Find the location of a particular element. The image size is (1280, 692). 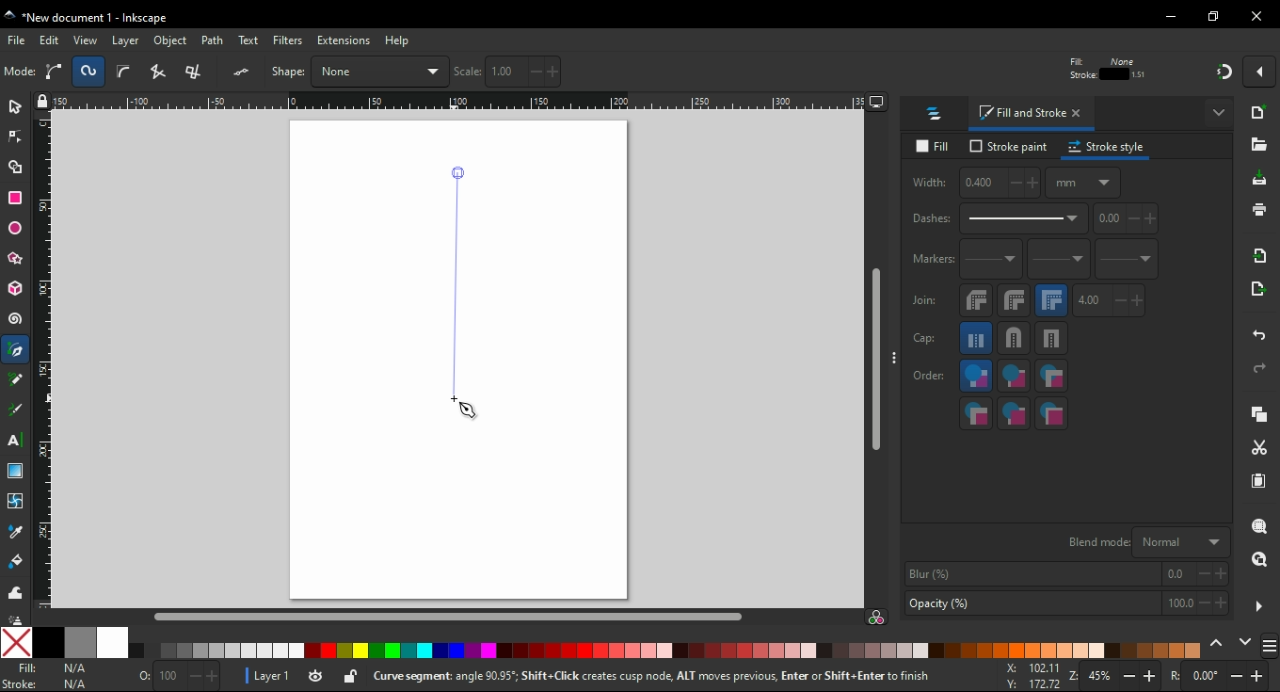

round is located at coordinates (1014, 300).